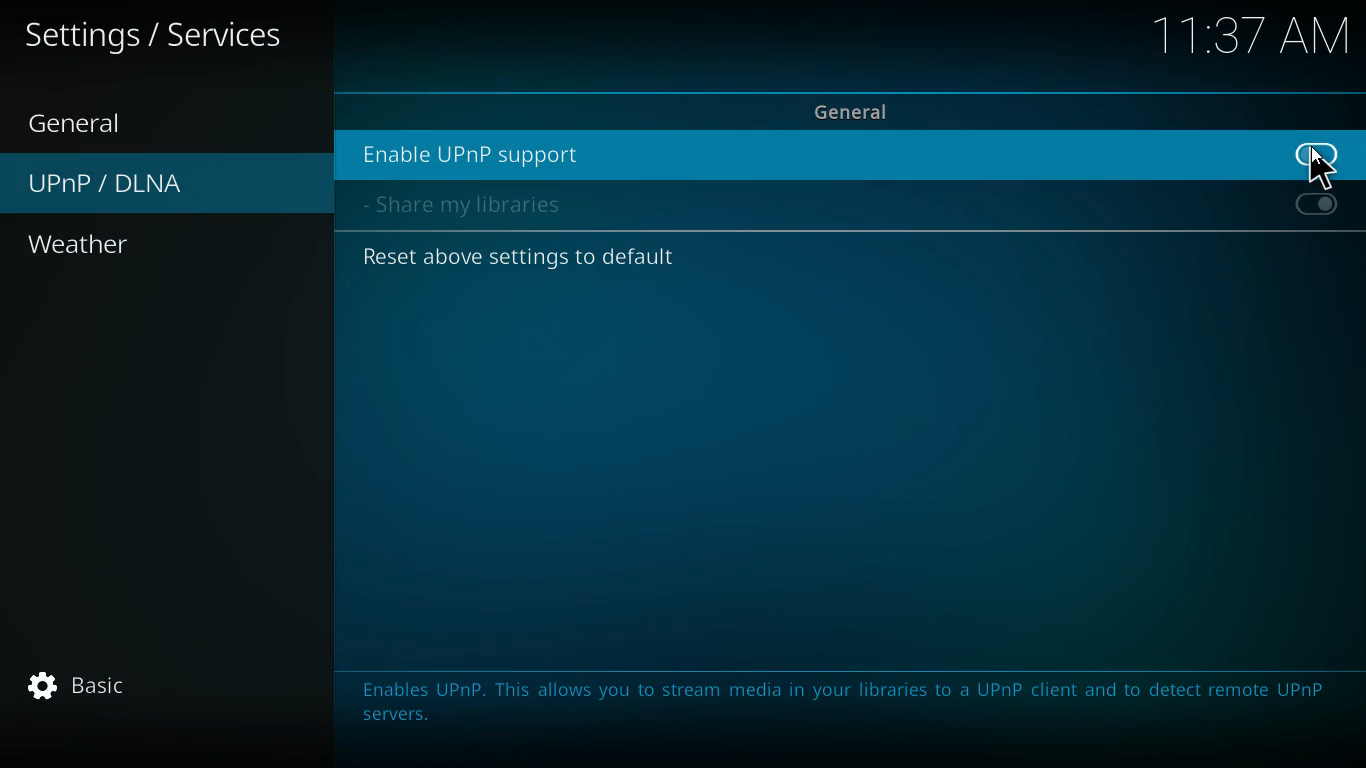  I want to click on settings / services, so click(159, 36).